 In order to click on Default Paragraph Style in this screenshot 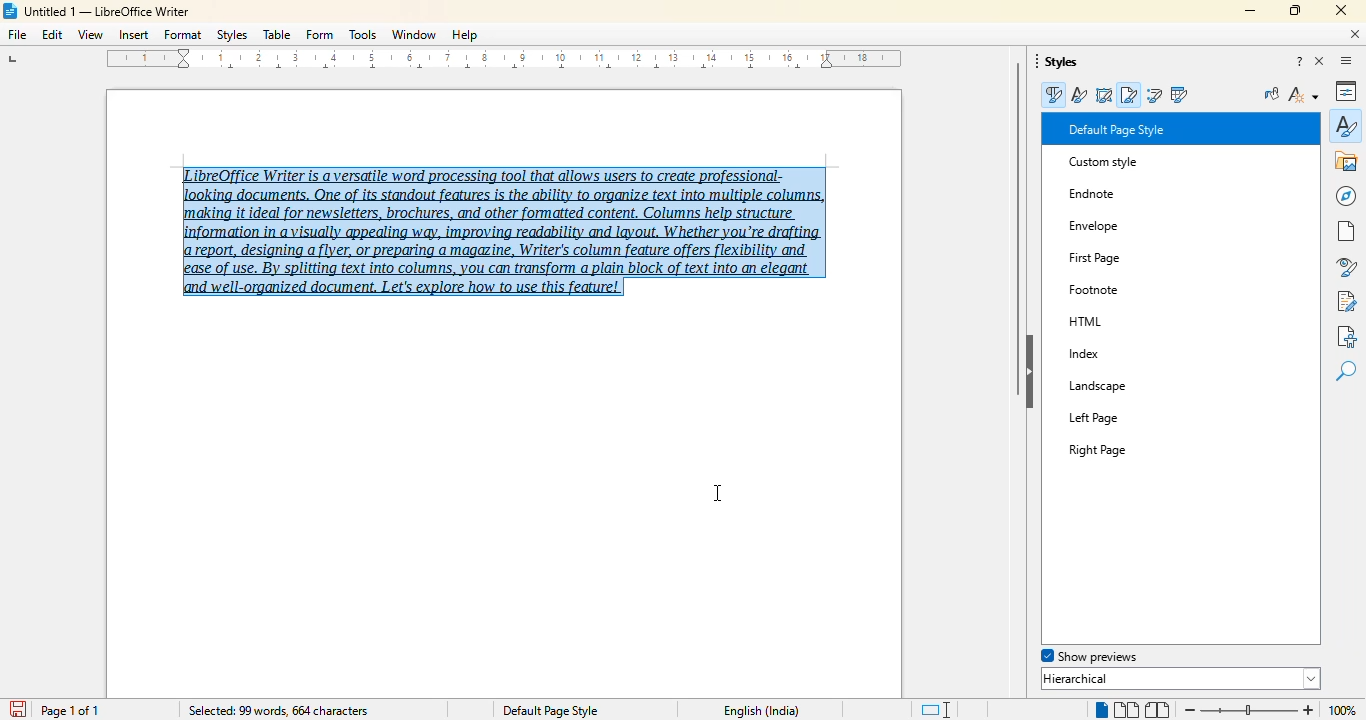, I will do `click(1152, 129)`.